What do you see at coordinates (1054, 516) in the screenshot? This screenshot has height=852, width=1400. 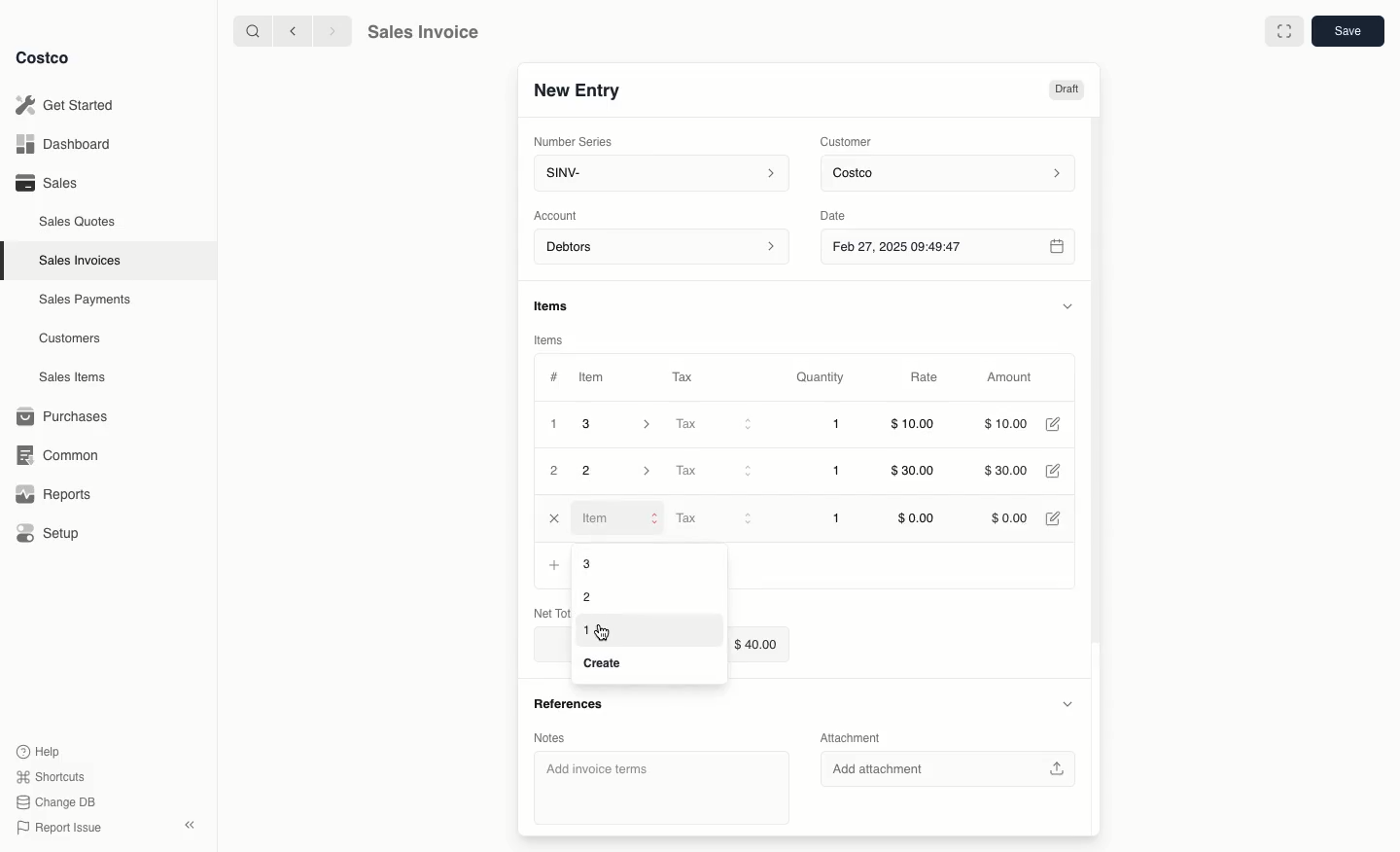 I see `Edit` at bounding box center [1054, 516].